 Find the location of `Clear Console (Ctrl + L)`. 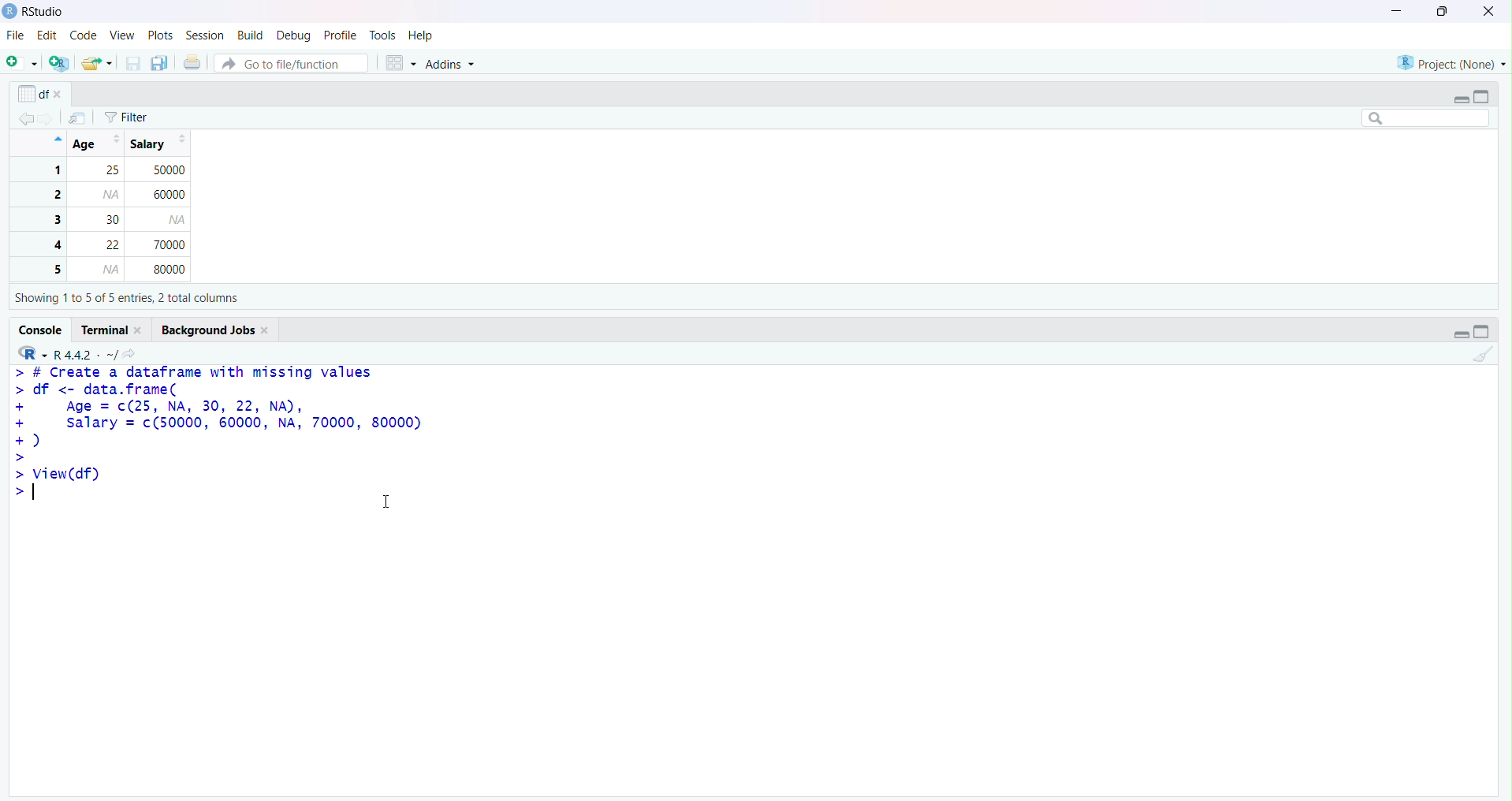

Clear Console (Ctrl + L) is located at coordinates (1489, 355).